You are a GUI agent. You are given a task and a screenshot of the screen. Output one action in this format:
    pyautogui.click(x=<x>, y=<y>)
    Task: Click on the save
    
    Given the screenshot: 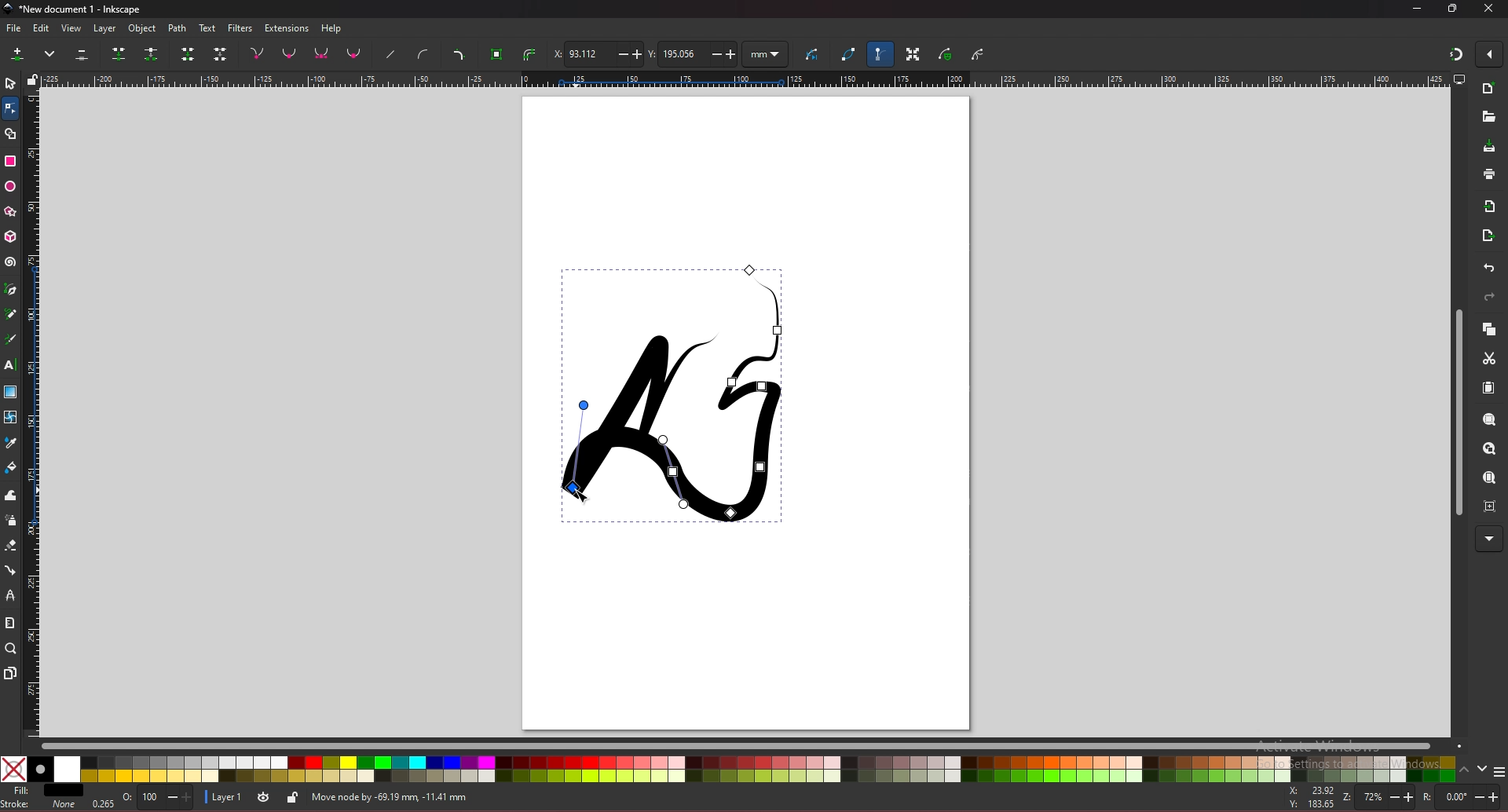 What is the action you would take?
    pyautogui.click(x=1489, y=146)
    